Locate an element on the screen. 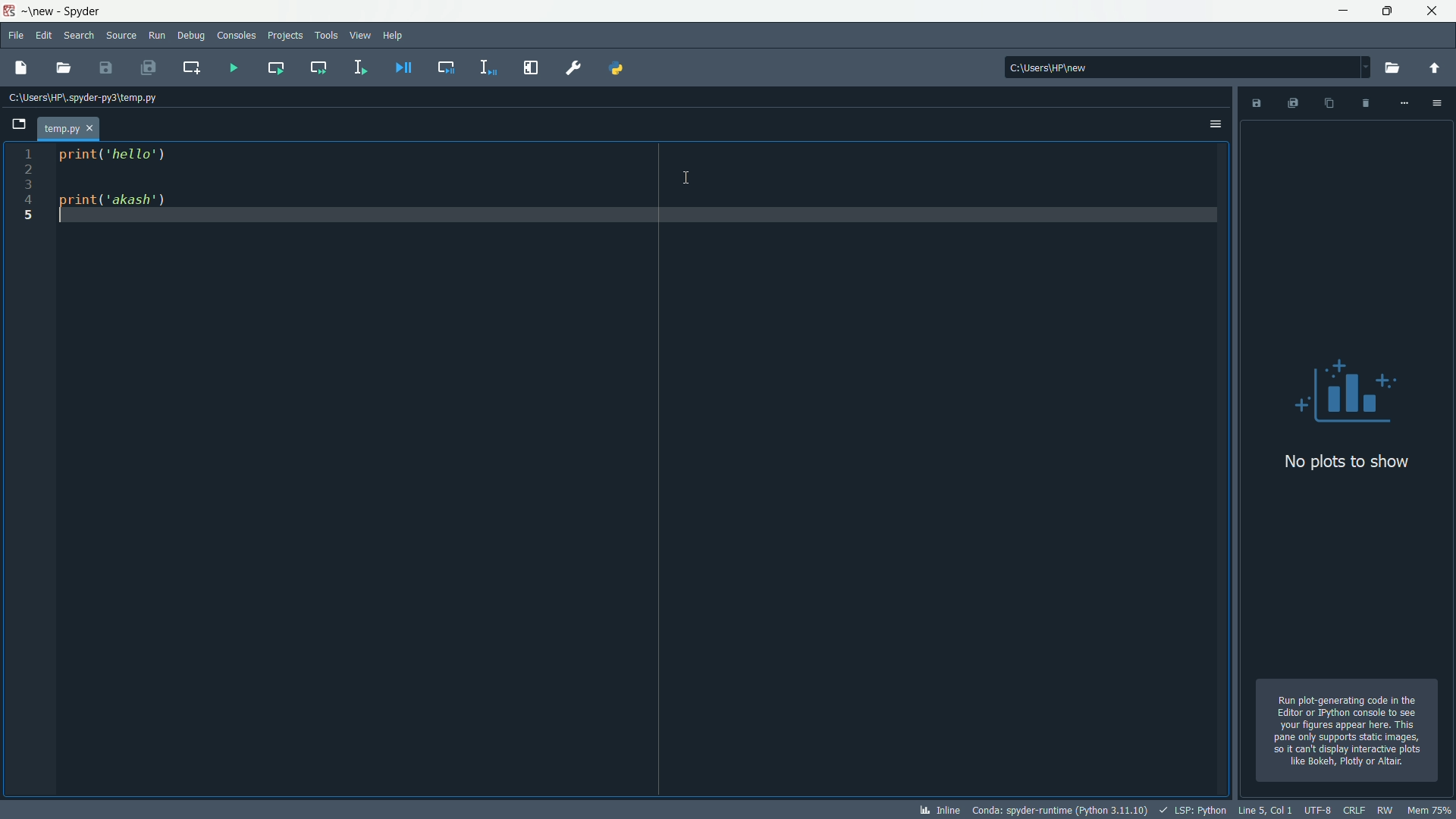  view menu is located at coordinates (360, 35).